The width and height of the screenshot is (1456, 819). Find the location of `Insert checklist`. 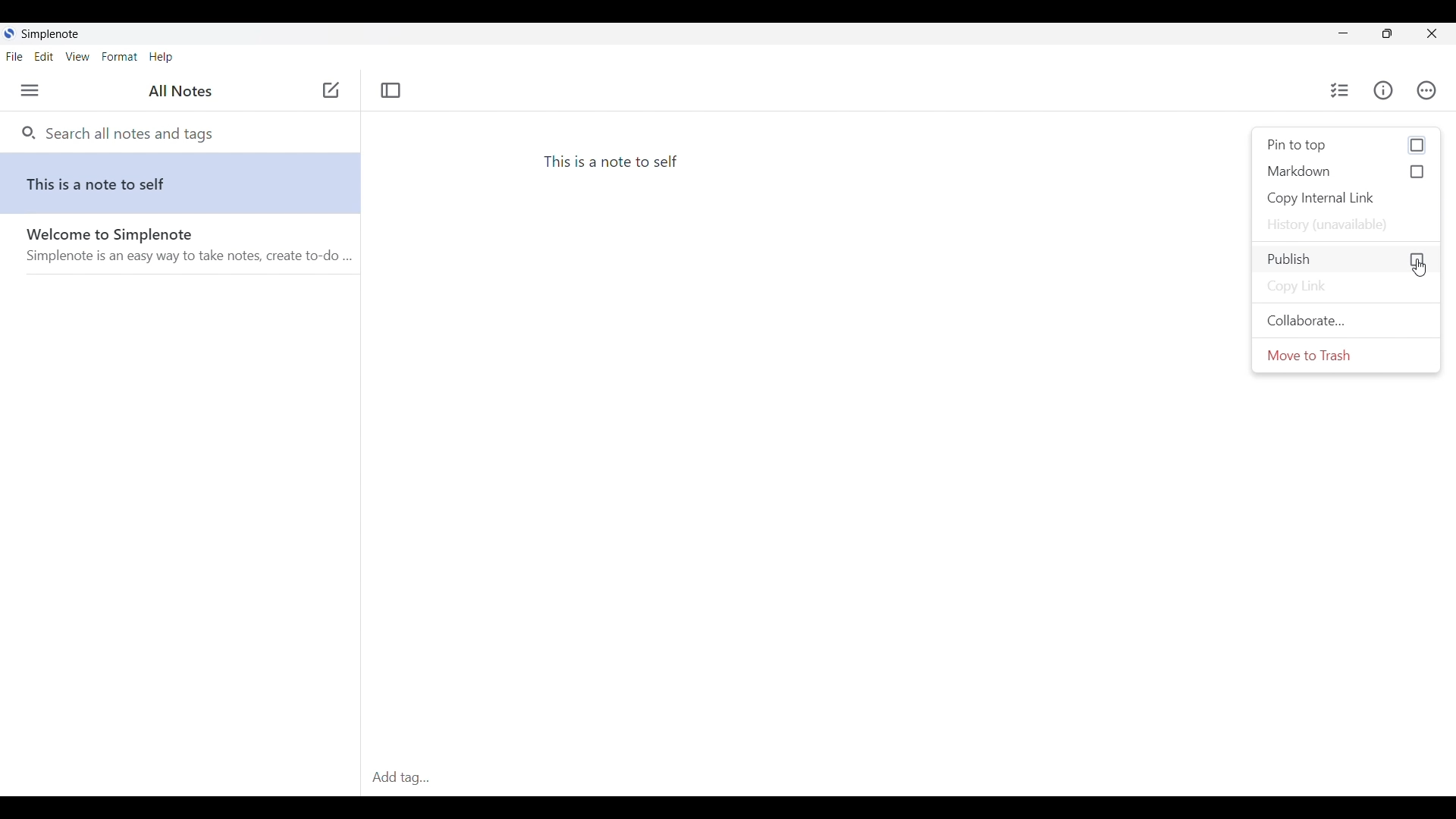

Insert checklist is located at coordinates (1341, 90).